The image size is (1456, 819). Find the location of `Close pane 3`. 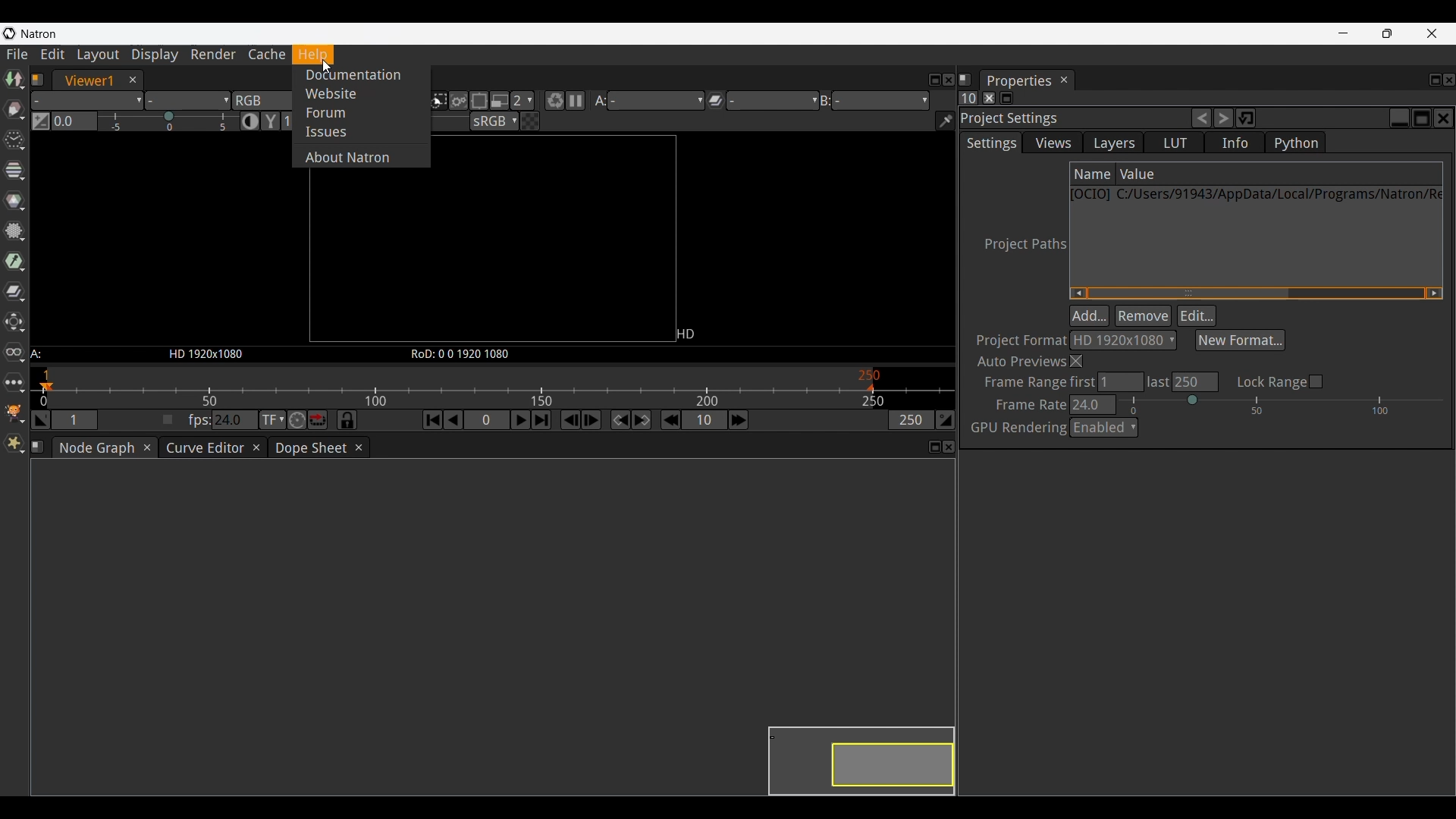

Close pane 3 is located at coordinates (949, 447).